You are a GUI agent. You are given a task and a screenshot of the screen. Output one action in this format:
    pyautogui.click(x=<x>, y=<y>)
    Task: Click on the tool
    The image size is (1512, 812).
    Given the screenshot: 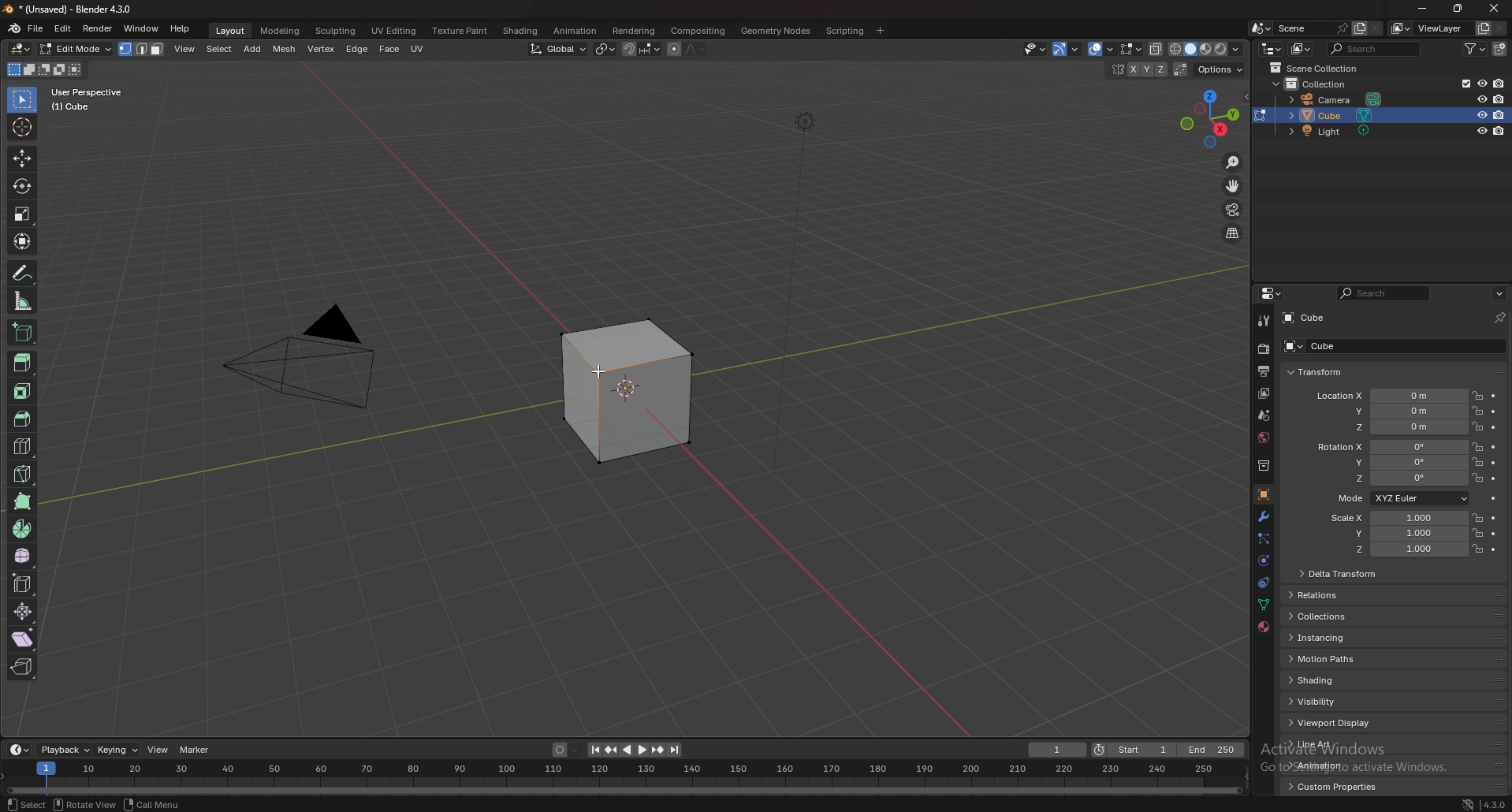 What is the action you would take?
    pyautogui.click(x=1264, y=322)
    